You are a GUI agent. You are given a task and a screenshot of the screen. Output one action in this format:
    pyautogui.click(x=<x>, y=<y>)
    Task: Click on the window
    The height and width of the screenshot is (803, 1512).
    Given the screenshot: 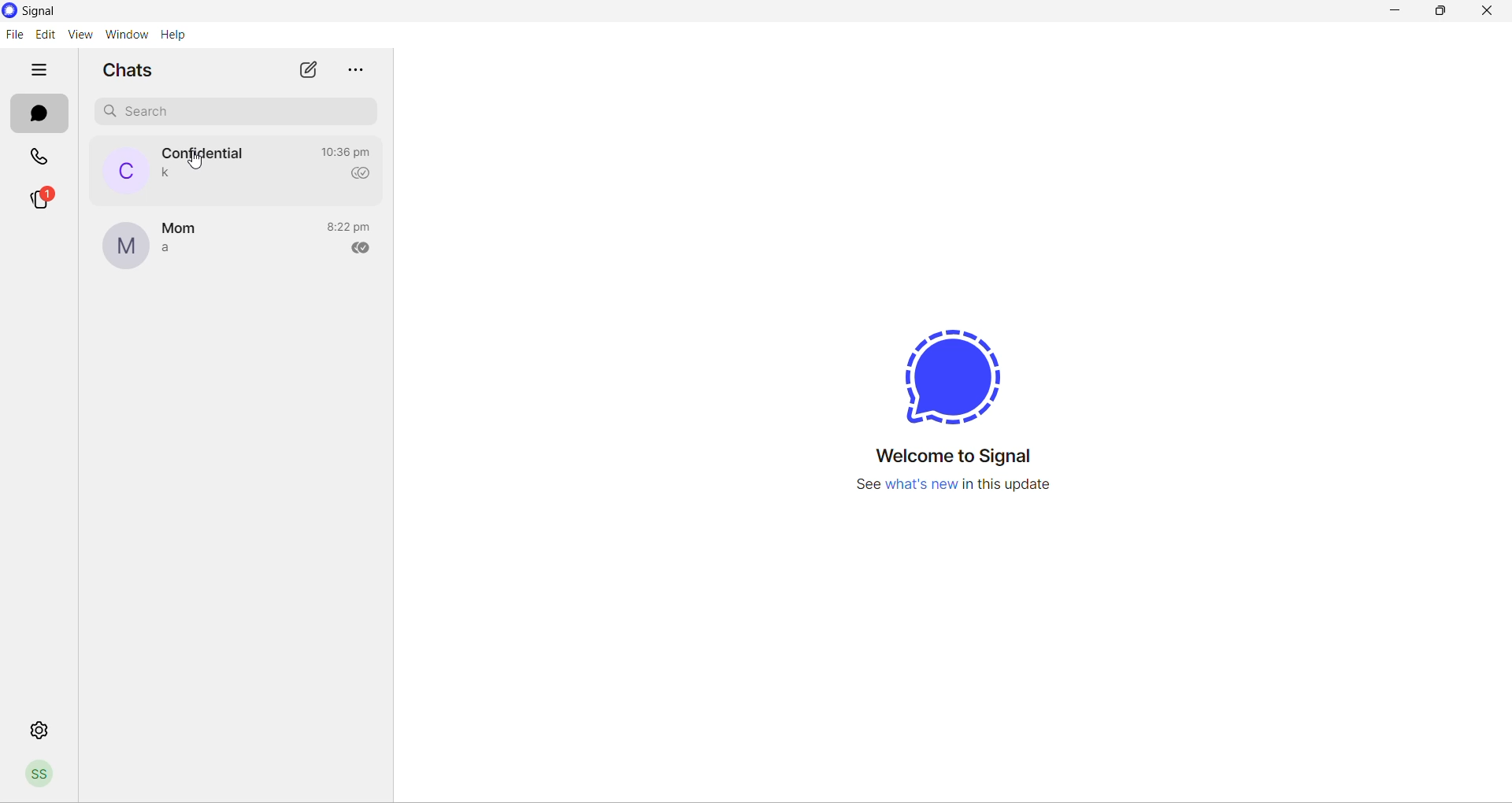 What is the action you would take?
    pyautogui.click(x=126, y=35)
    